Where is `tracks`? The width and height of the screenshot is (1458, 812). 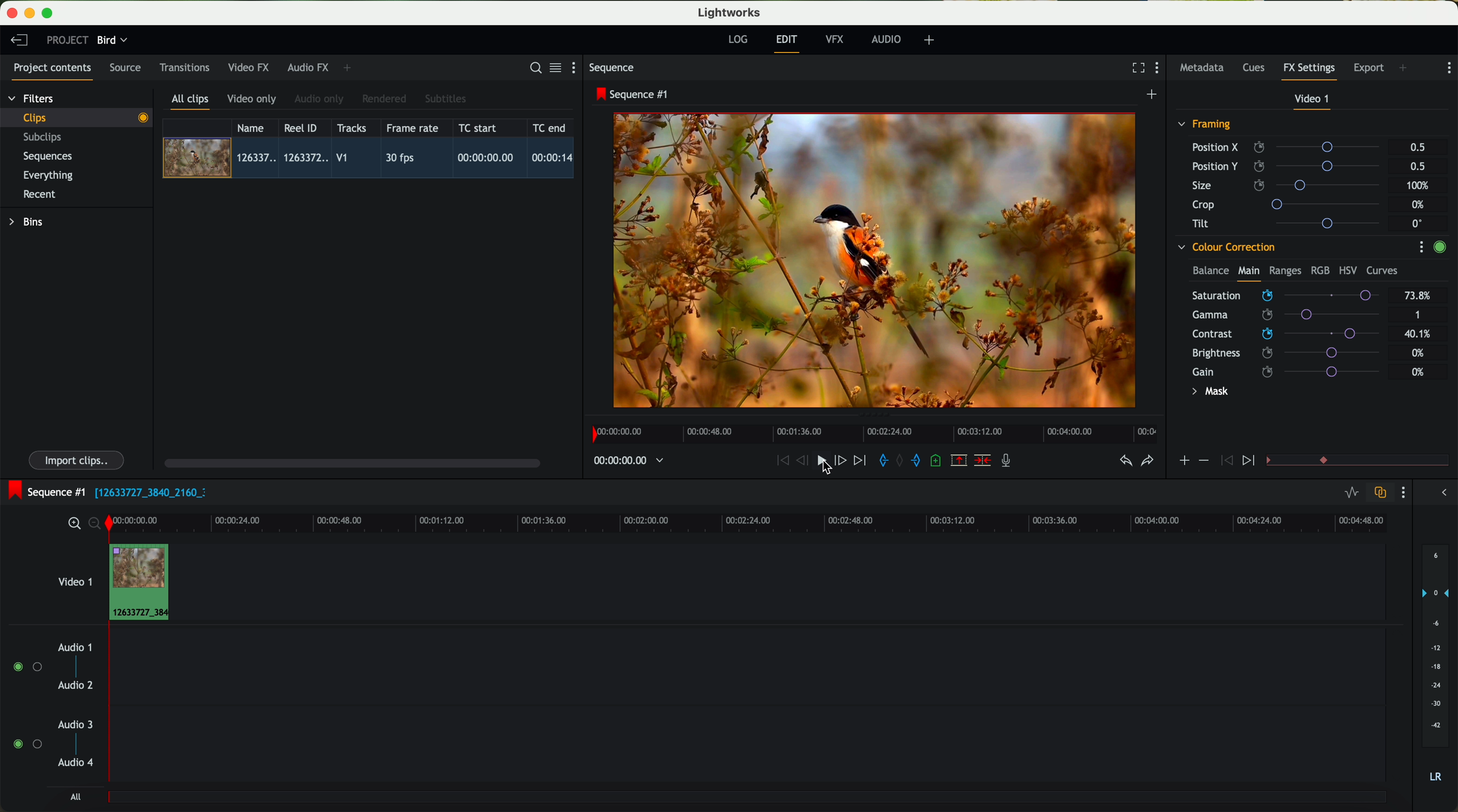 tracks is located at coordinates (350, 128).